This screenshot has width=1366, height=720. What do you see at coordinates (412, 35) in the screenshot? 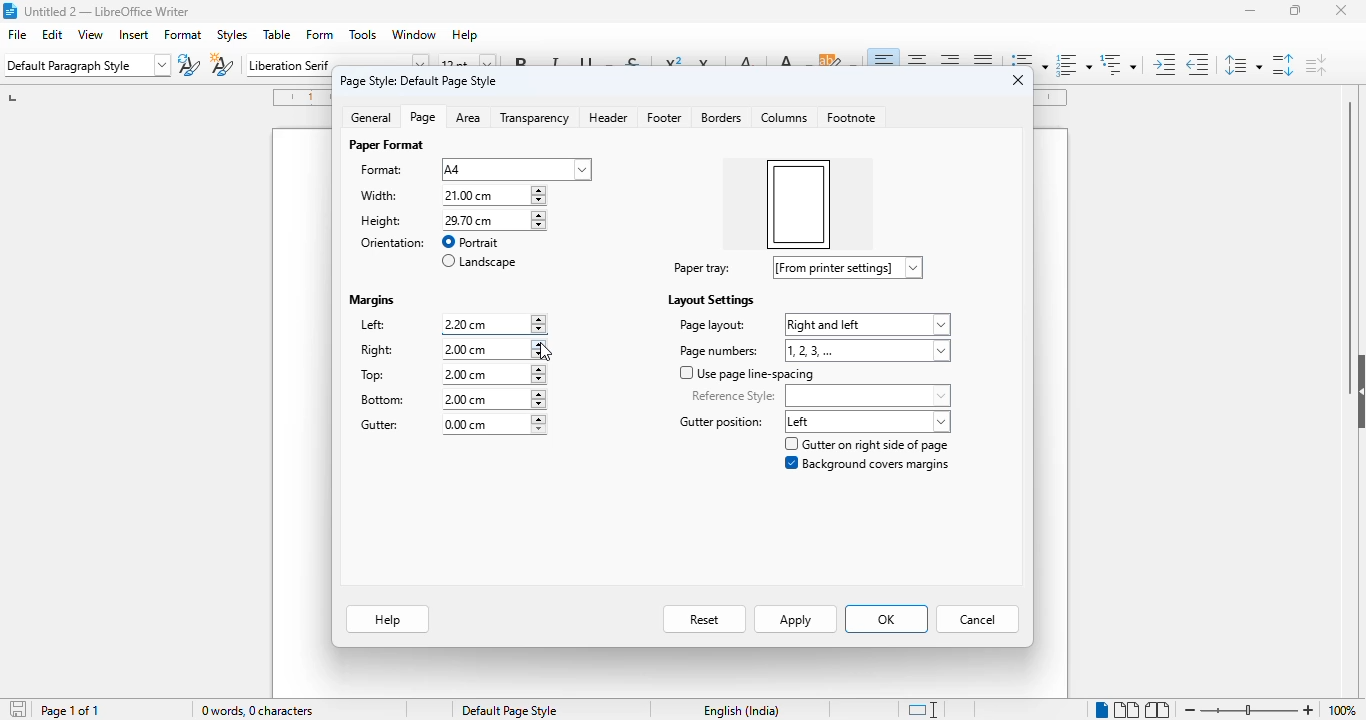
I see `window` at bounding box center [412, 35].